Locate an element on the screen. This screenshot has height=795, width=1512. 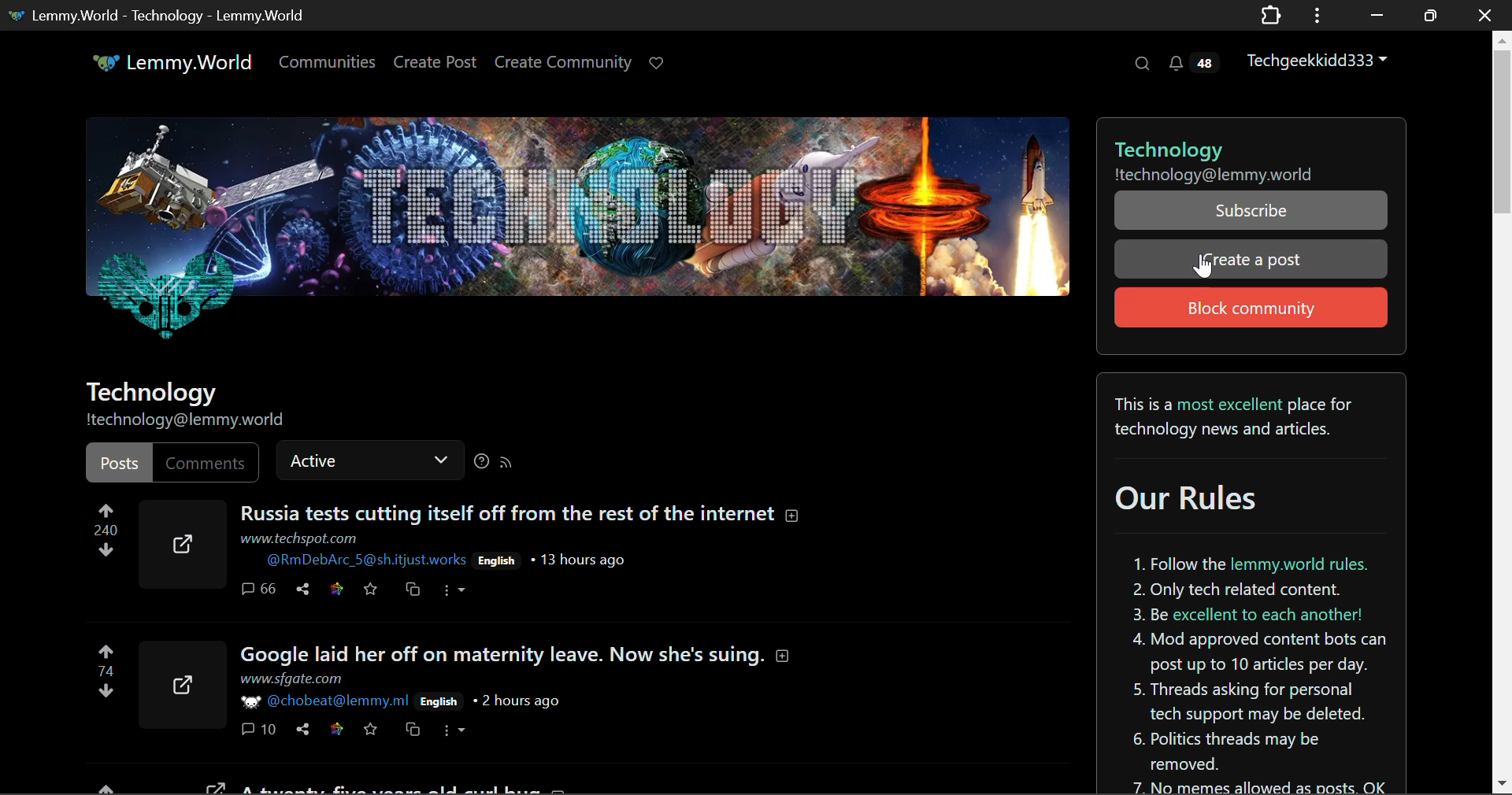
More Options is located at coordinates (454, 728).